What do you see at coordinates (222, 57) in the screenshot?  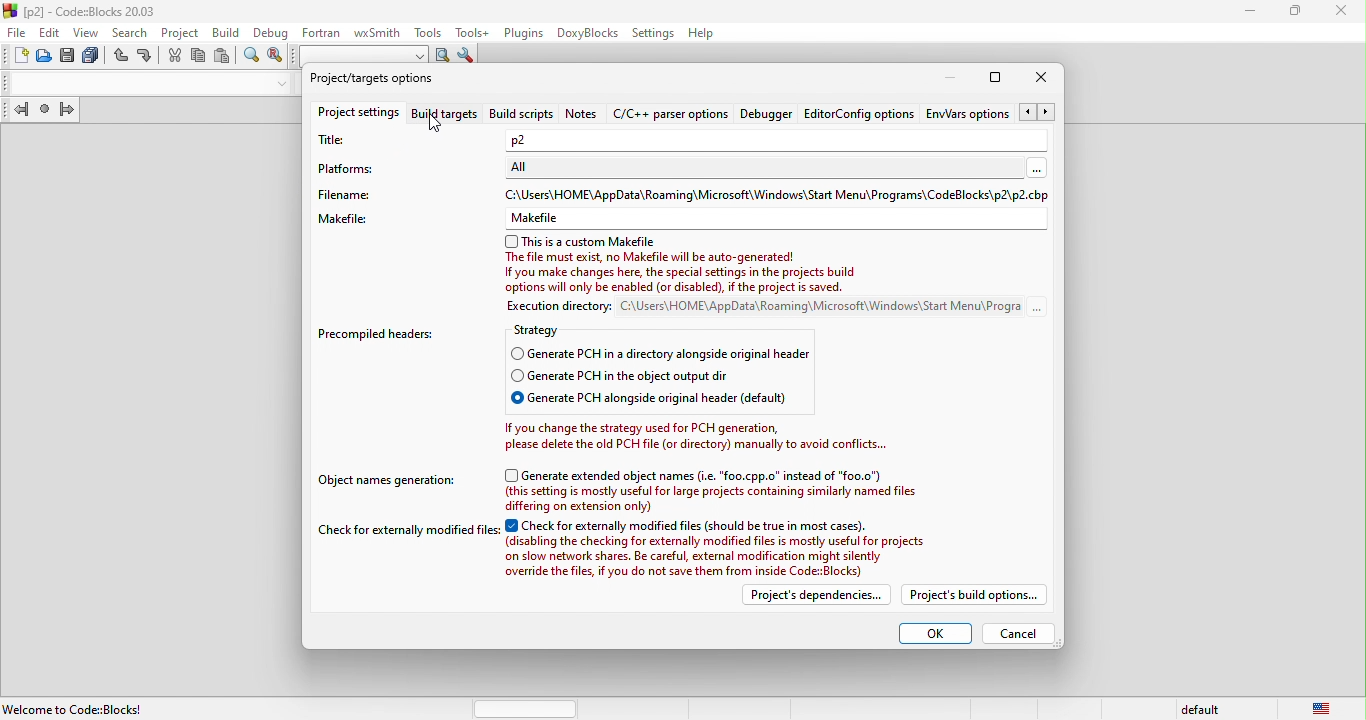 I see `paste` at bounding box center [222, 57].